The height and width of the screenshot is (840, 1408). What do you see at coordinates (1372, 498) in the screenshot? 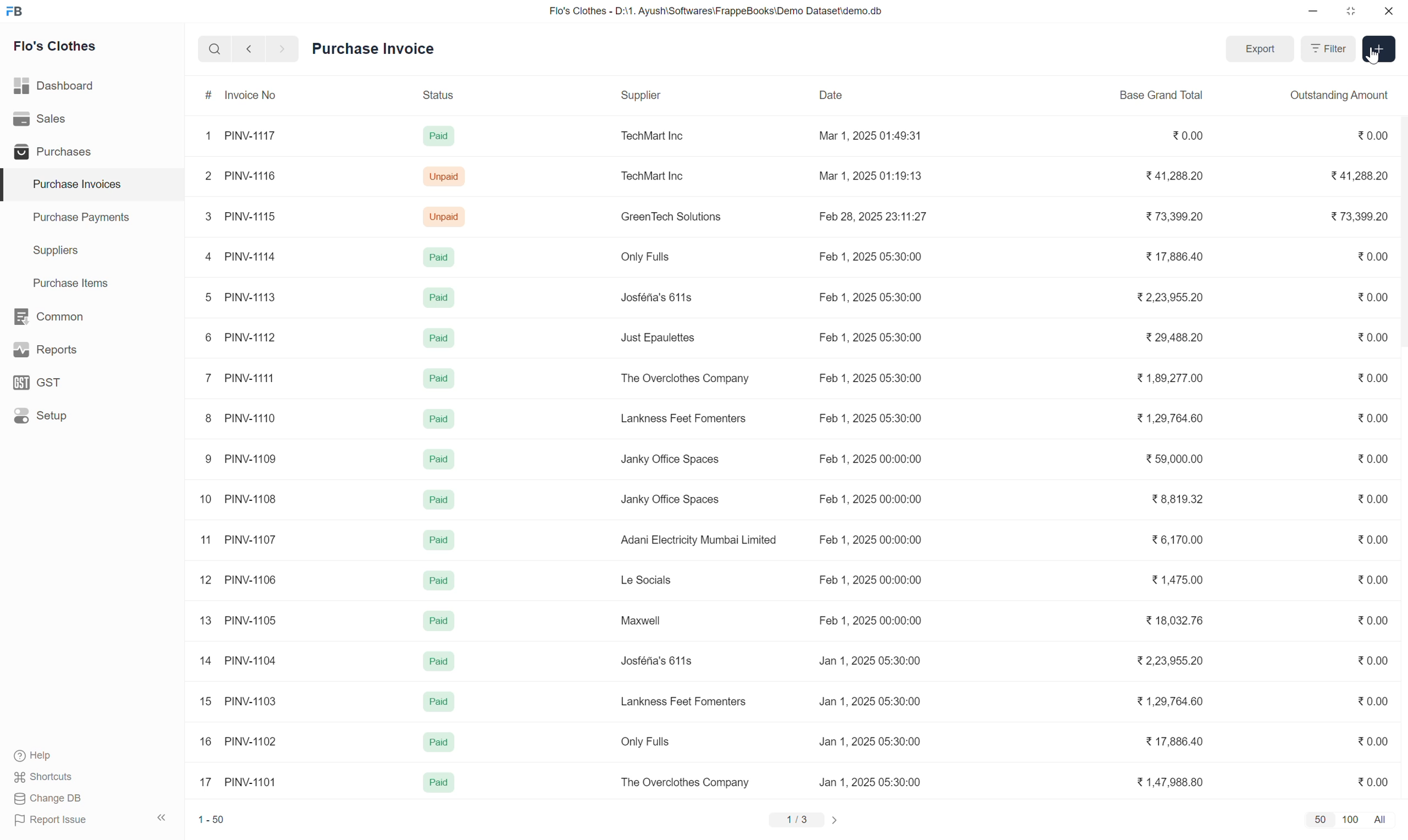
I see `0.00` at bounding box center [1372, 498].